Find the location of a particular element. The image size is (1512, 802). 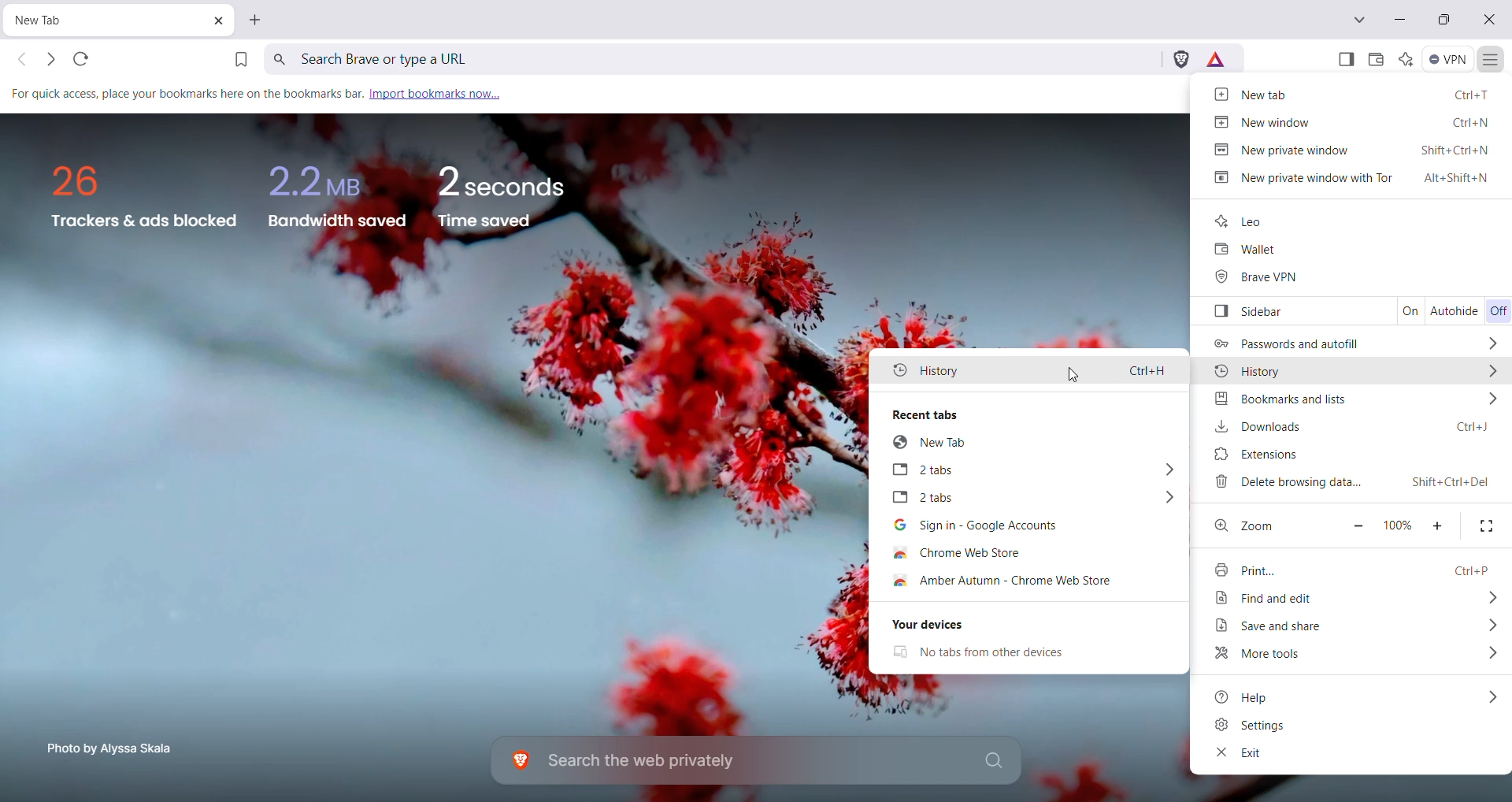

Find and edit is located at coordinates (1353, 599).